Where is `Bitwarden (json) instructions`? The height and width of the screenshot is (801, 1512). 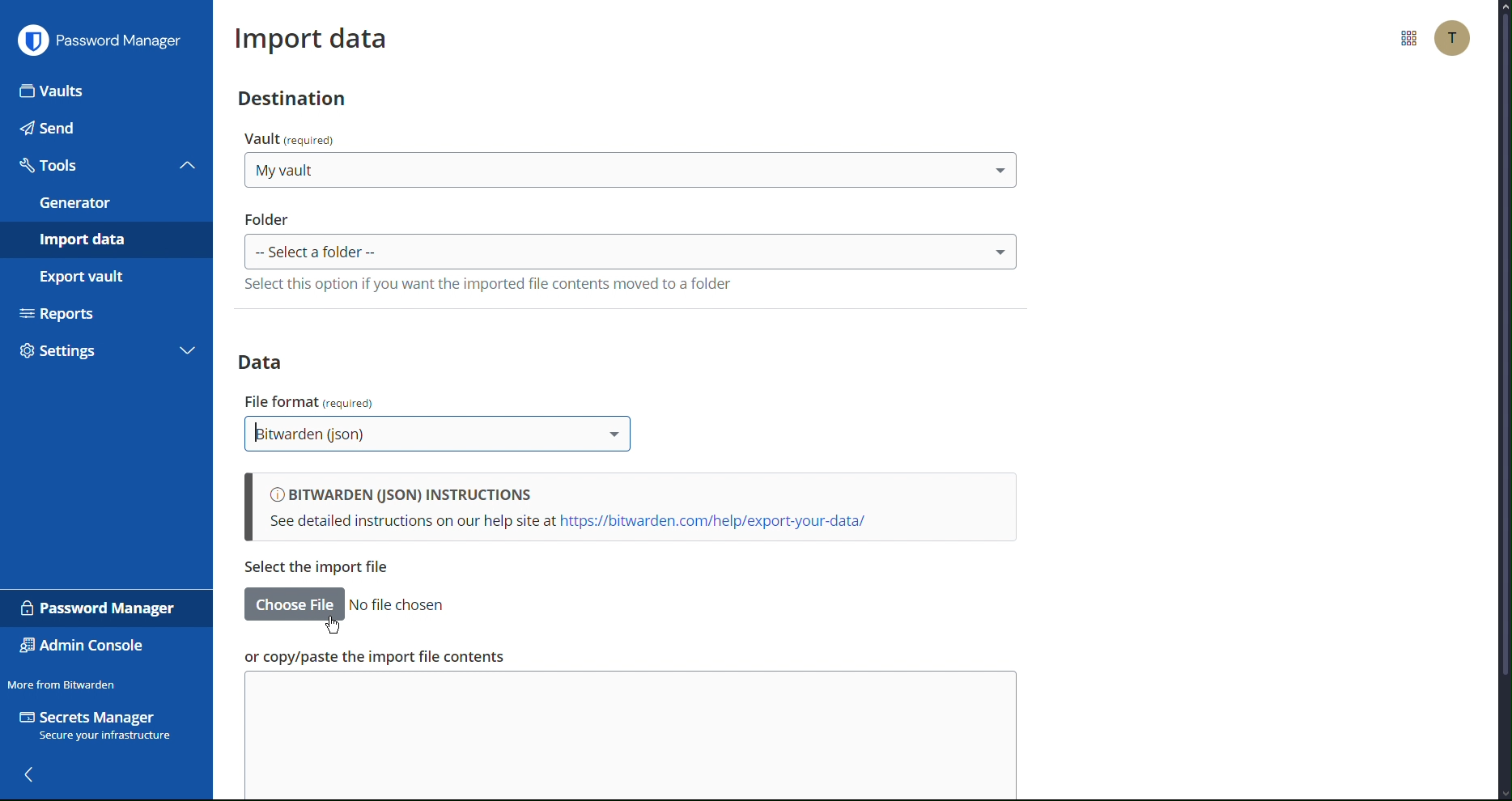
Bitwarden (json) instructions is located at coordinates (631, 506).